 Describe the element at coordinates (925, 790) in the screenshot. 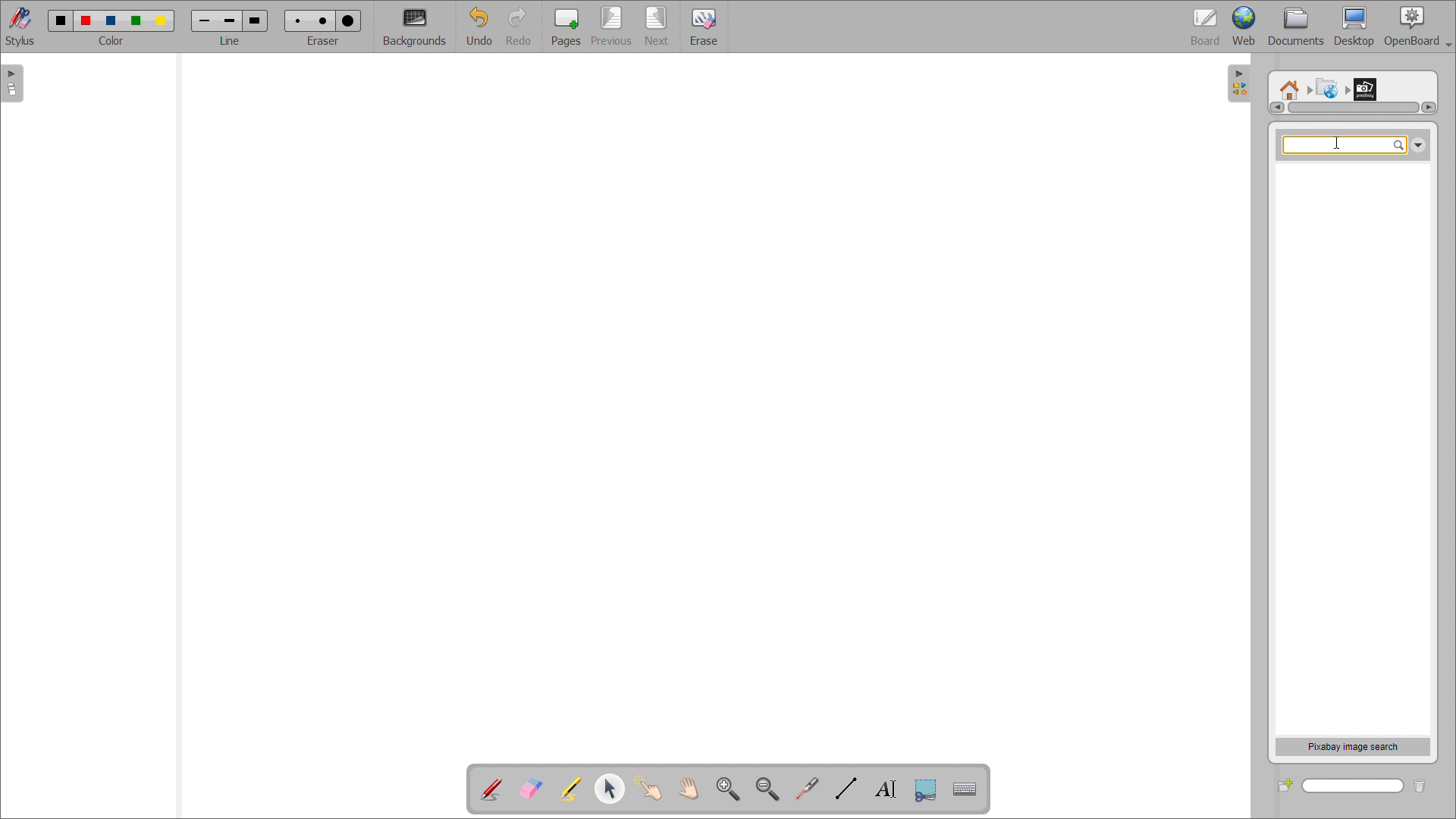

I see `` at that location.